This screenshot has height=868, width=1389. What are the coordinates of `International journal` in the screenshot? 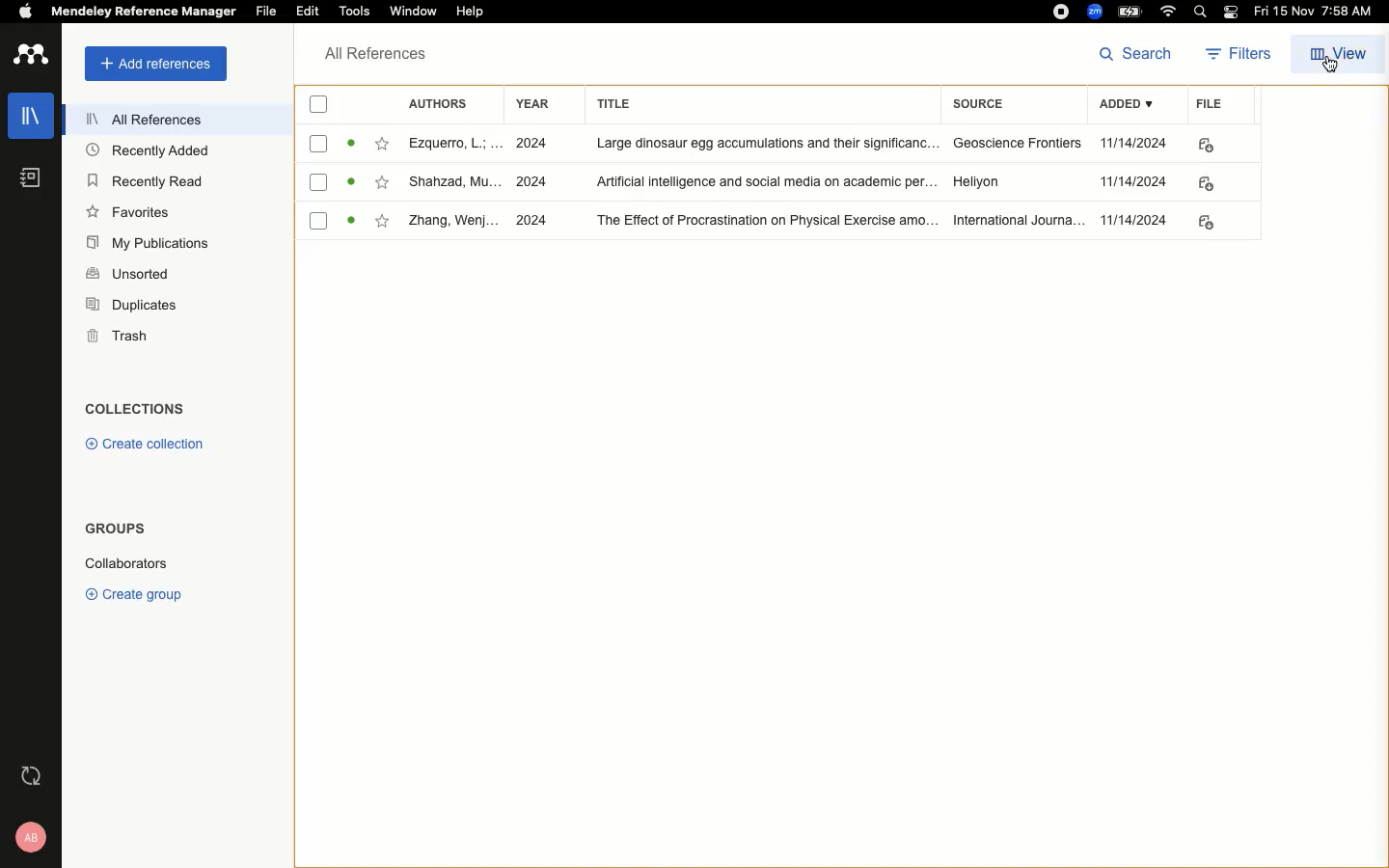 It's located at (1013, 220).